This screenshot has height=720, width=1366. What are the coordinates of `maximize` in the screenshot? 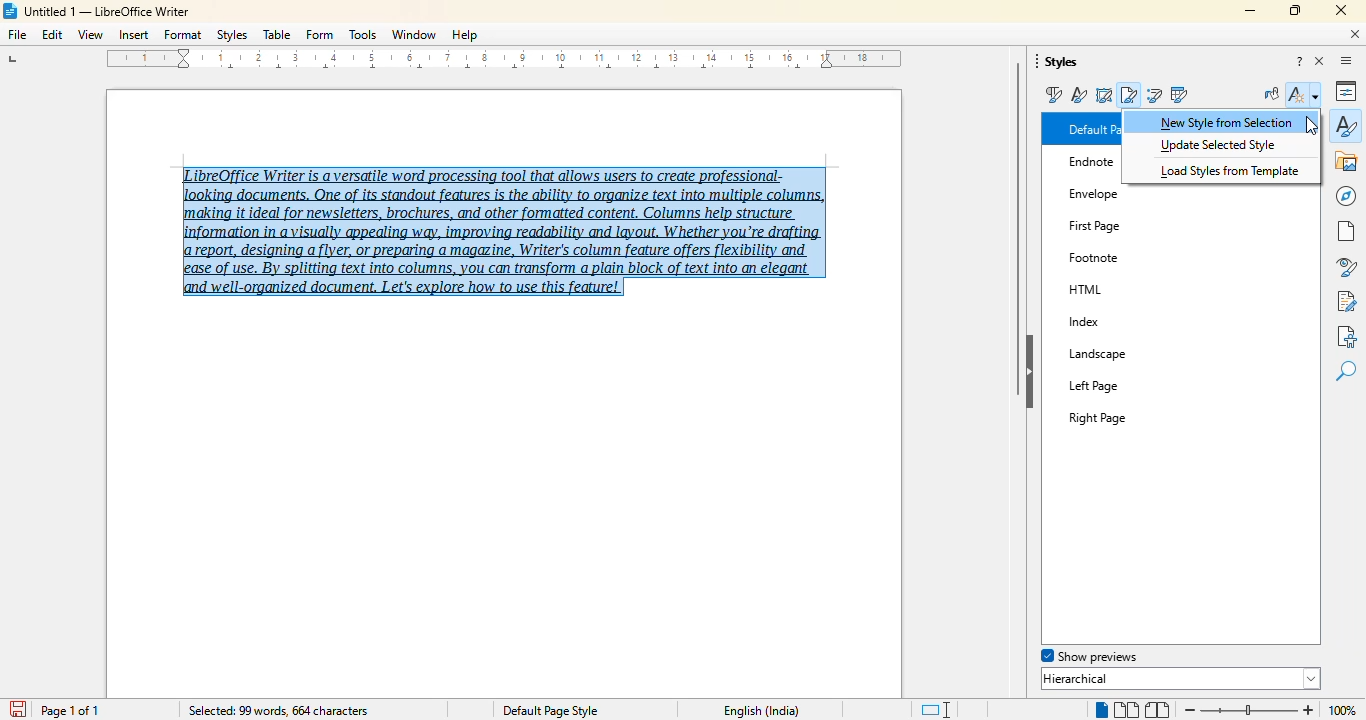 It's located at (1294, 10).